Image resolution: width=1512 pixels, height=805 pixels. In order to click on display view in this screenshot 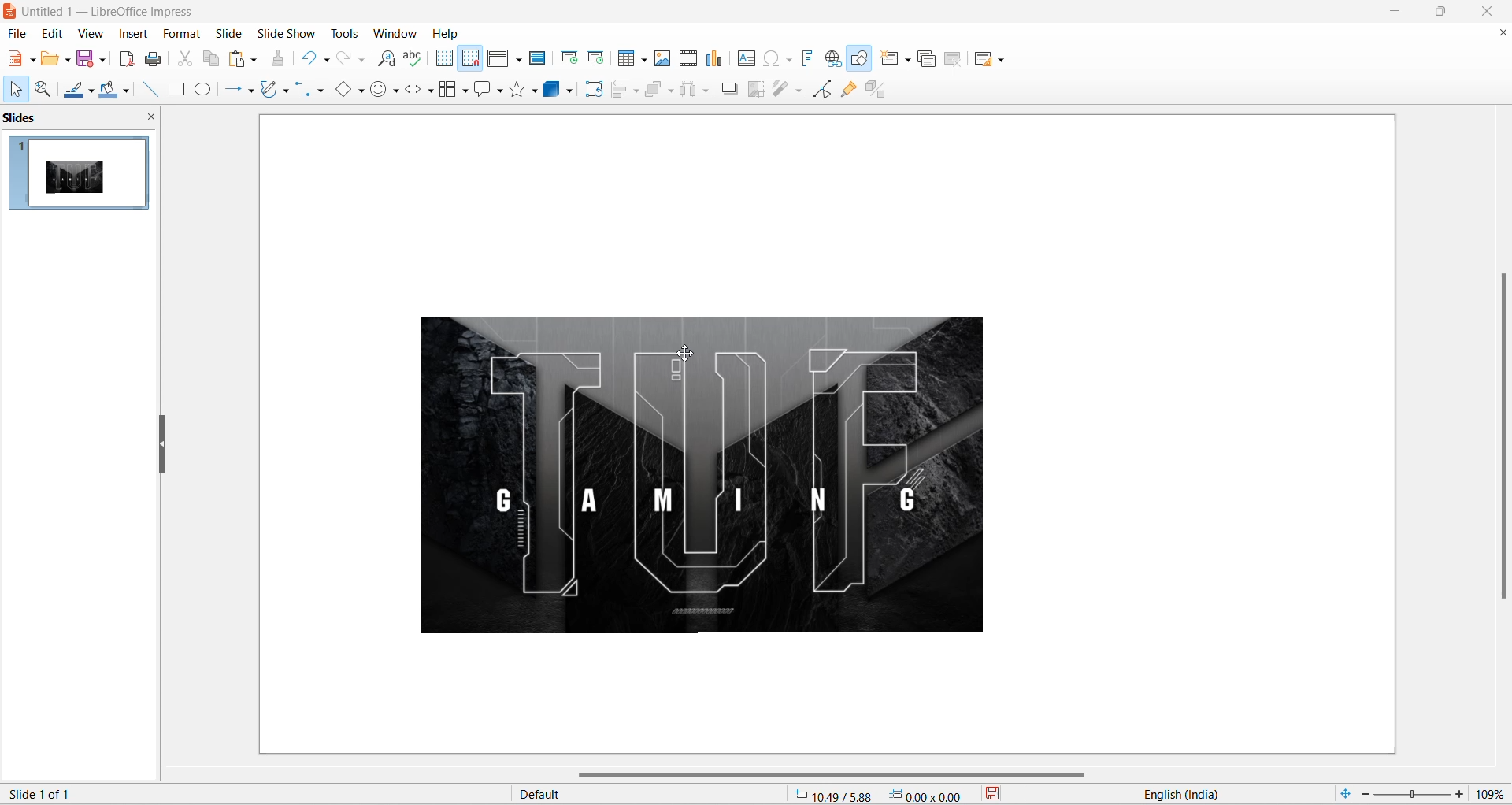, I will do `click(499, 59)`.